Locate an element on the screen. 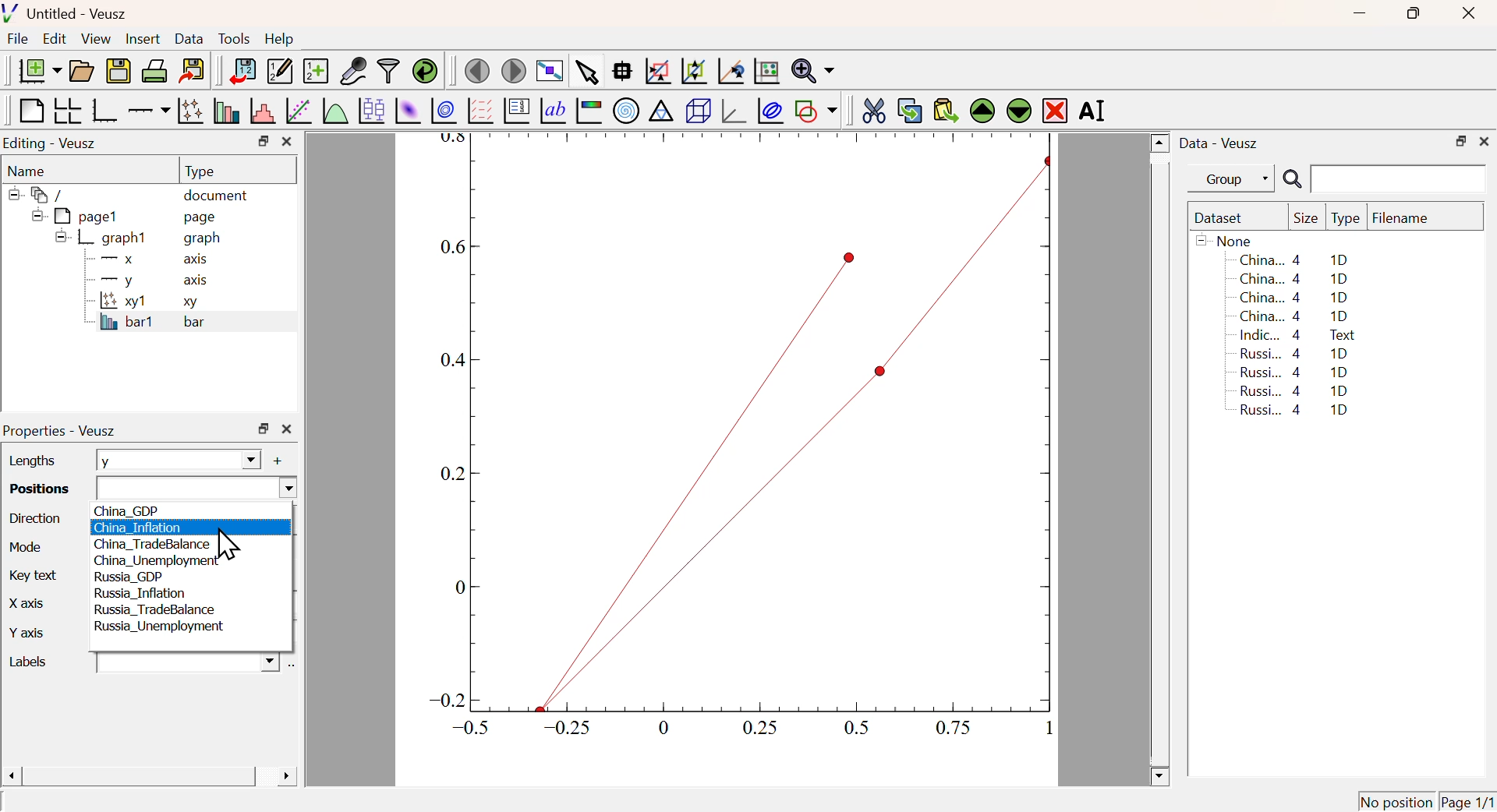  Text Label is located at coordinates (553, 111).